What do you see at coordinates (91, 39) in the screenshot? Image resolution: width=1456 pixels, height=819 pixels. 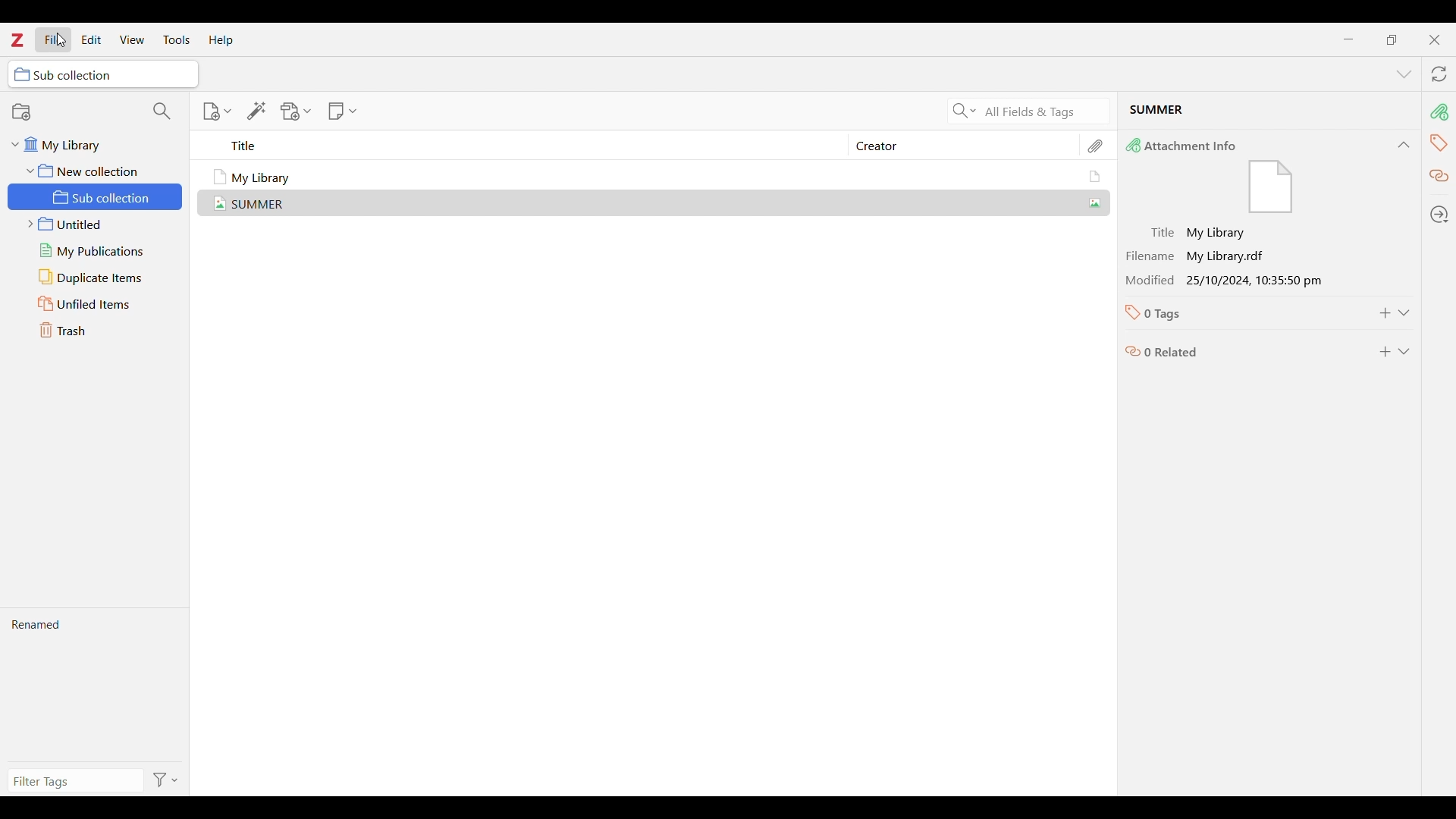 I see `Edit menu` at bounding box center [91, 39].